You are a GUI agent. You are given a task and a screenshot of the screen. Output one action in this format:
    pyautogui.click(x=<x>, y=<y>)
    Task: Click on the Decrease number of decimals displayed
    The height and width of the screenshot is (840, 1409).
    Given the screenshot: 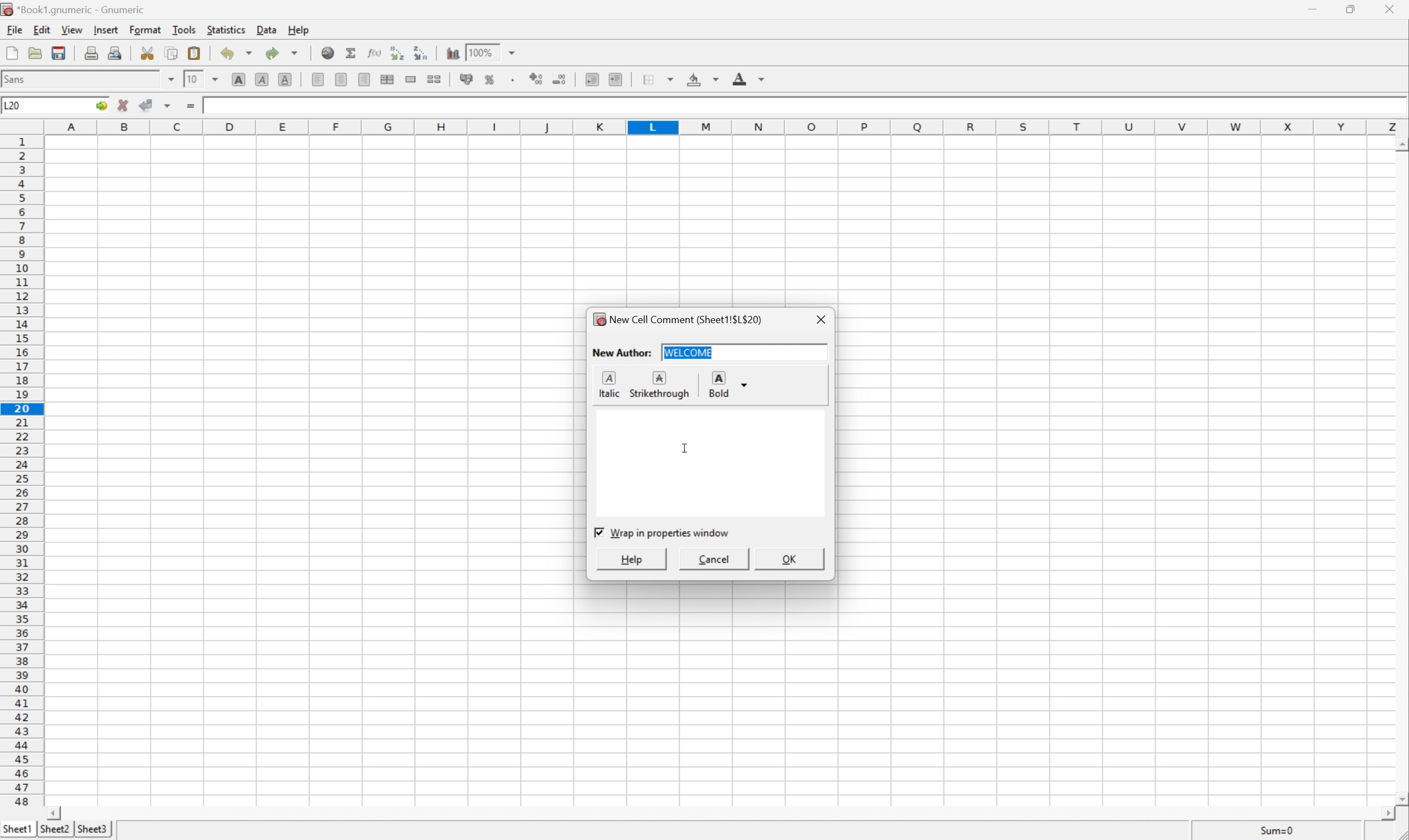 What is the action you would take?
    pyautogui.click(x=560, y=79)
    